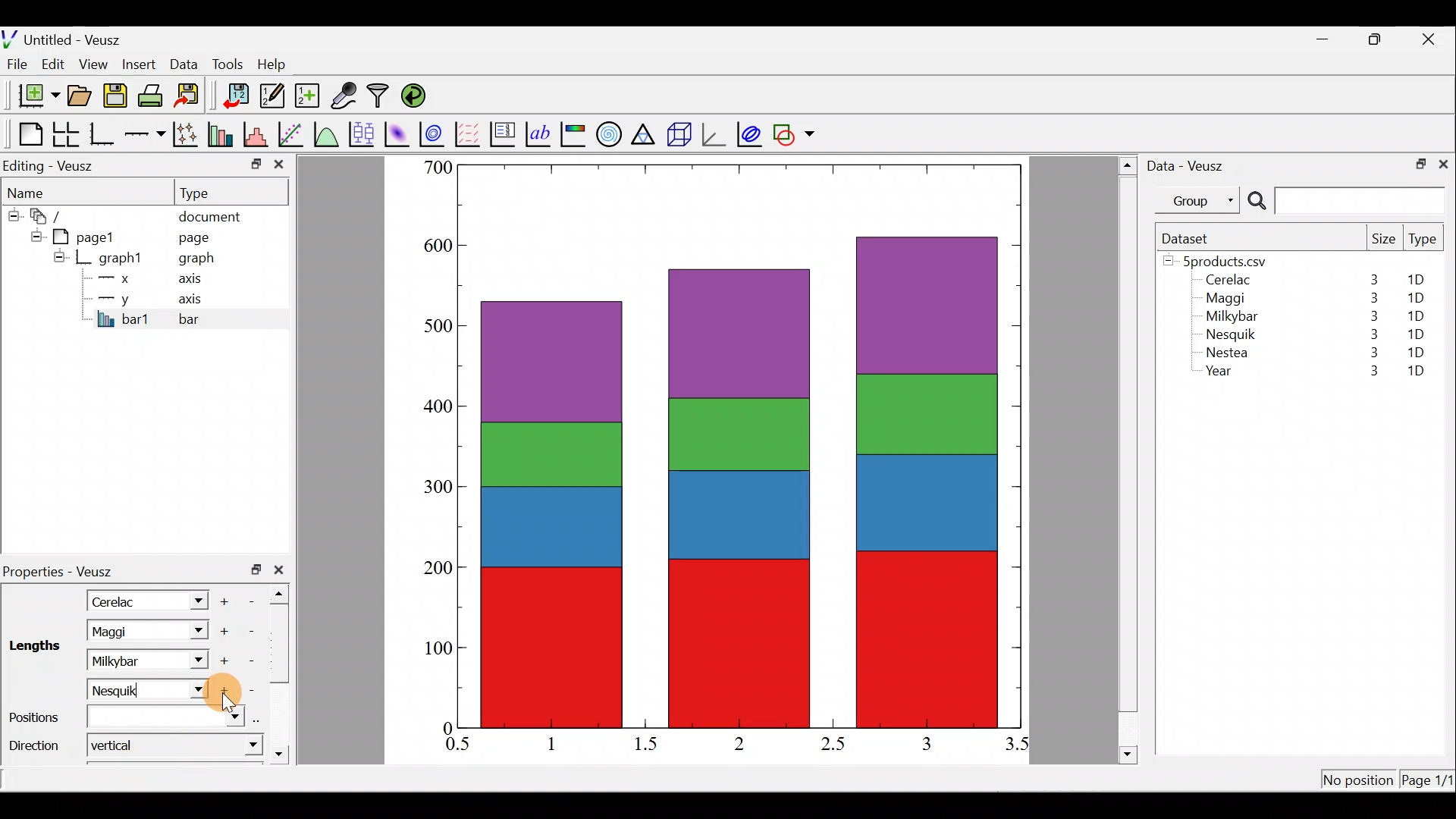  Describe the element at coordinates (121, 259) in the screenshot. I see `graph1` at that location.